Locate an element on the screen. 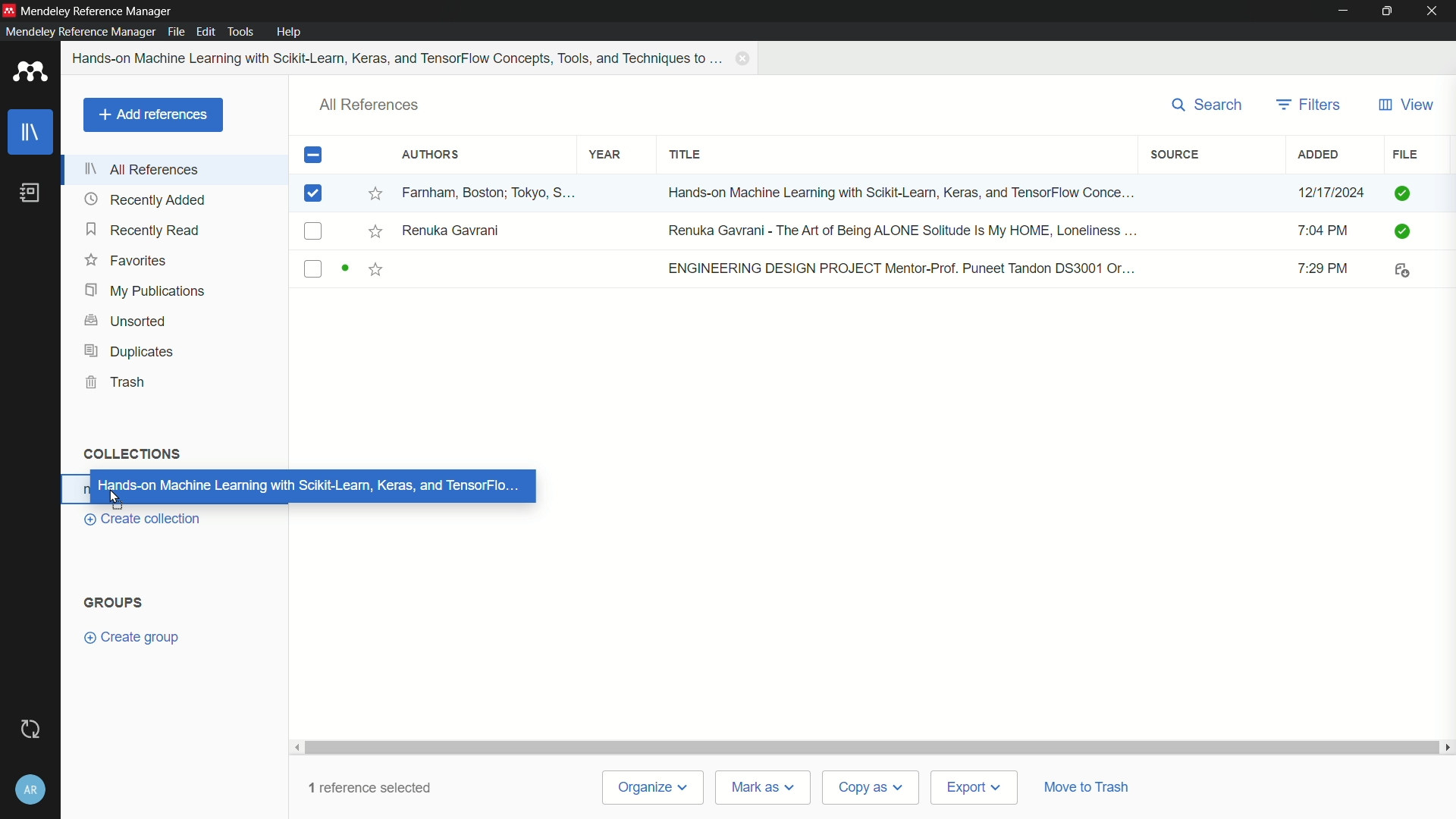 The height and width of the screenshot is (819, 1456). recently read is located at coordinates (145, 229).